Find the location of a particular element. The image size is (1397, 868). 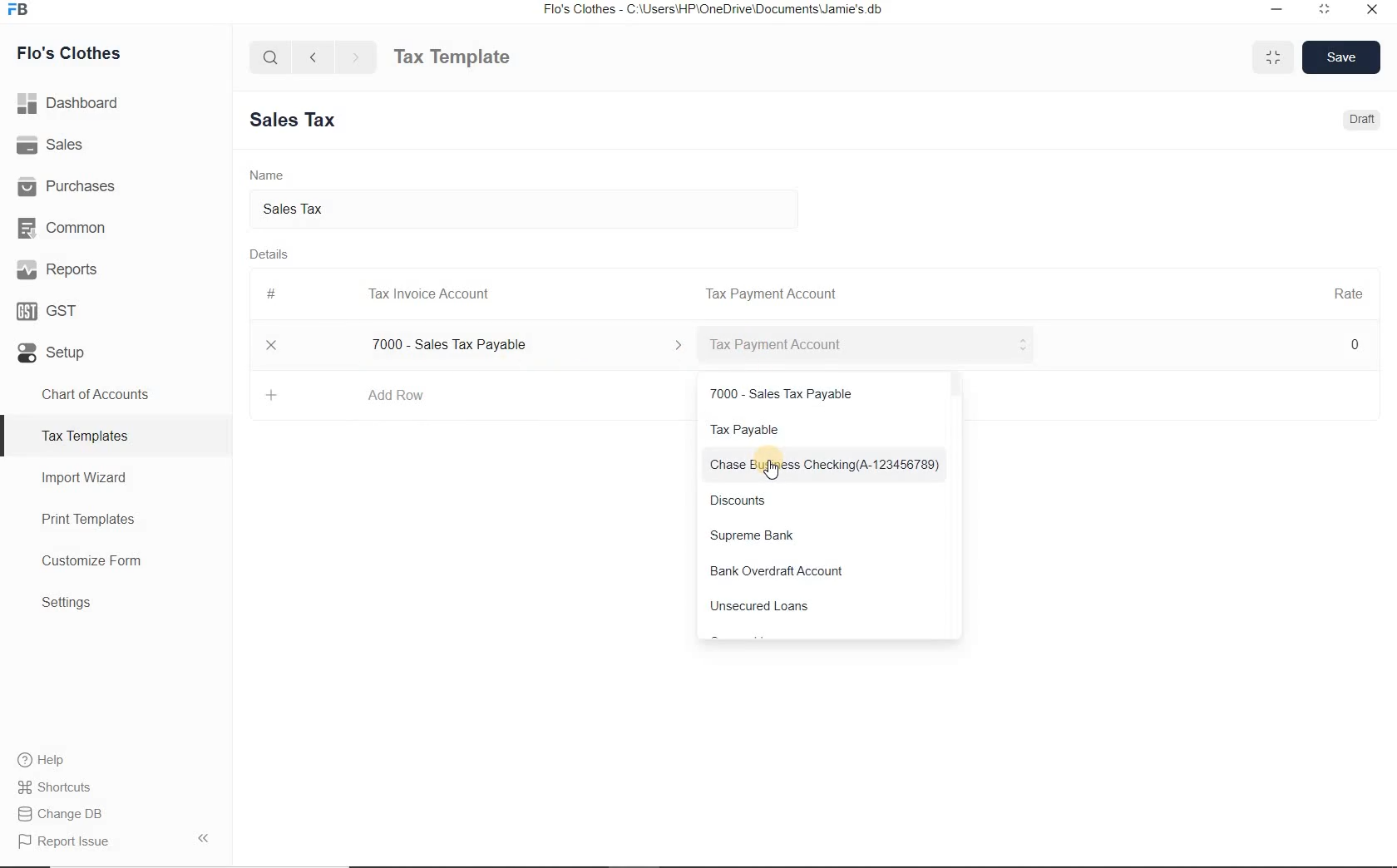

Chase Business Checking(A-123456789) is located at coordinates (828, 465).